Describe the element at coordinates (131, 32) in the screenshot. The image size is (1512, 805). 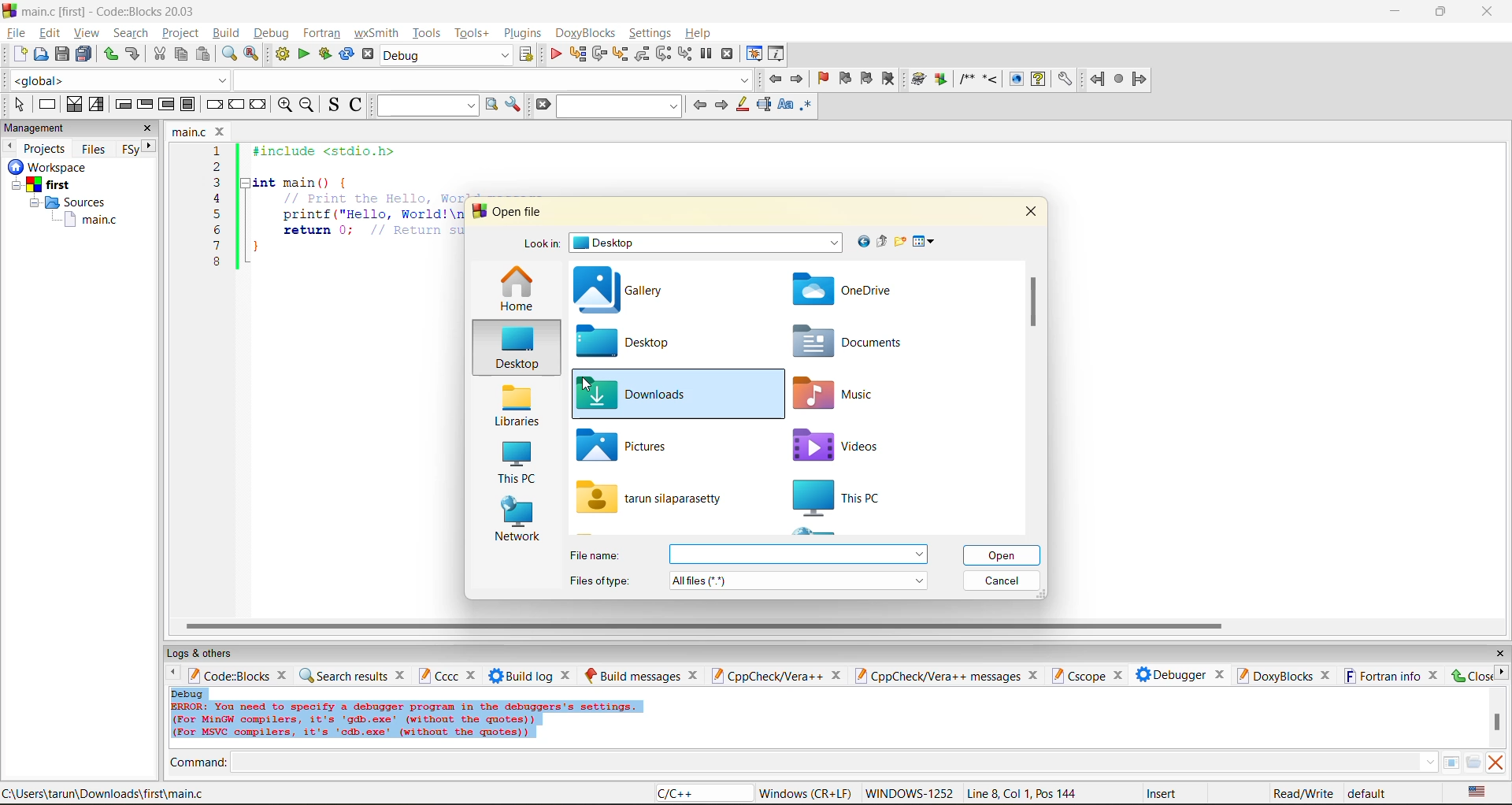
I see `search` at that location.